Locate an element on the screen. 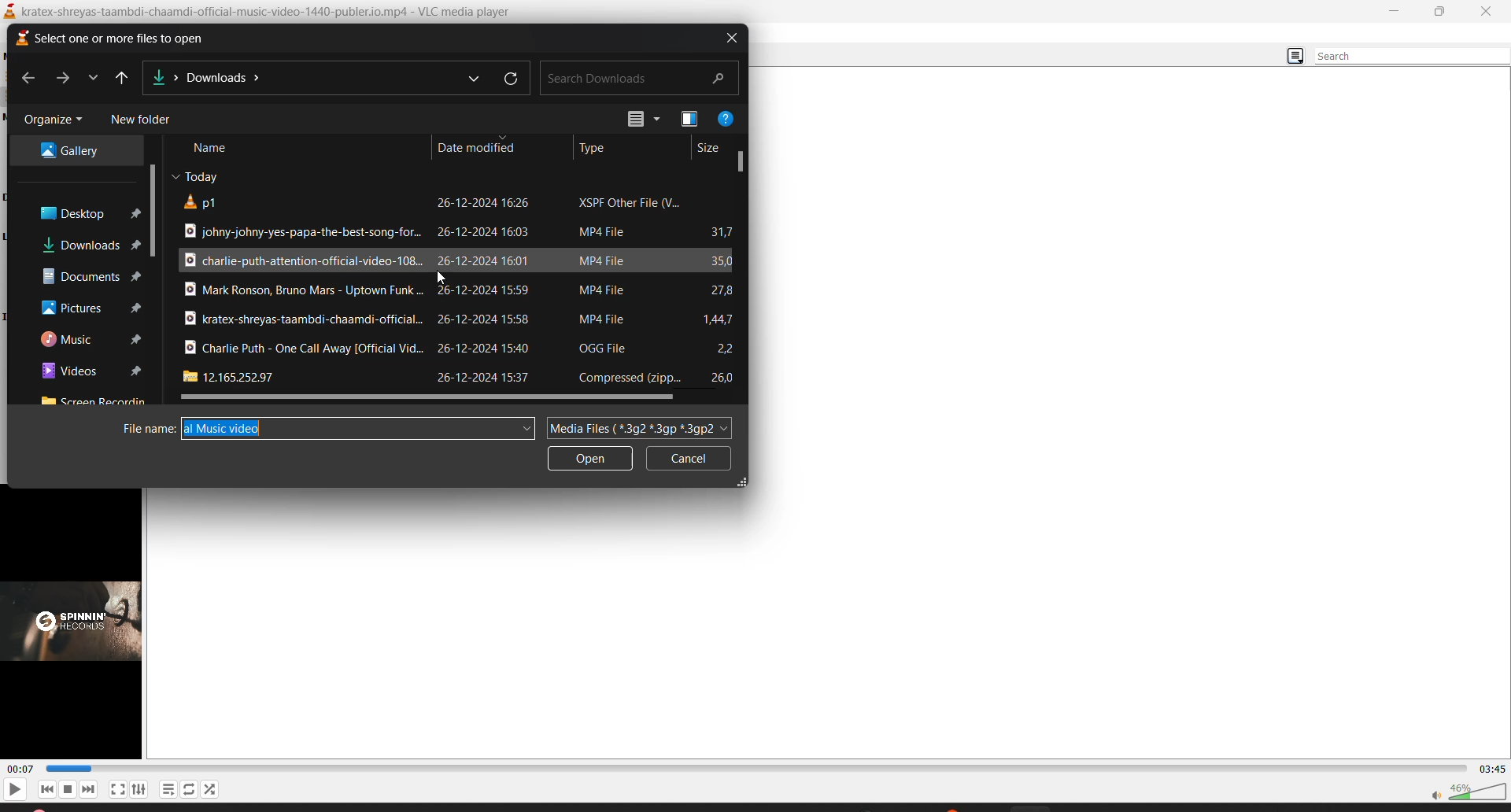  name is located at coordinates (217, 147).